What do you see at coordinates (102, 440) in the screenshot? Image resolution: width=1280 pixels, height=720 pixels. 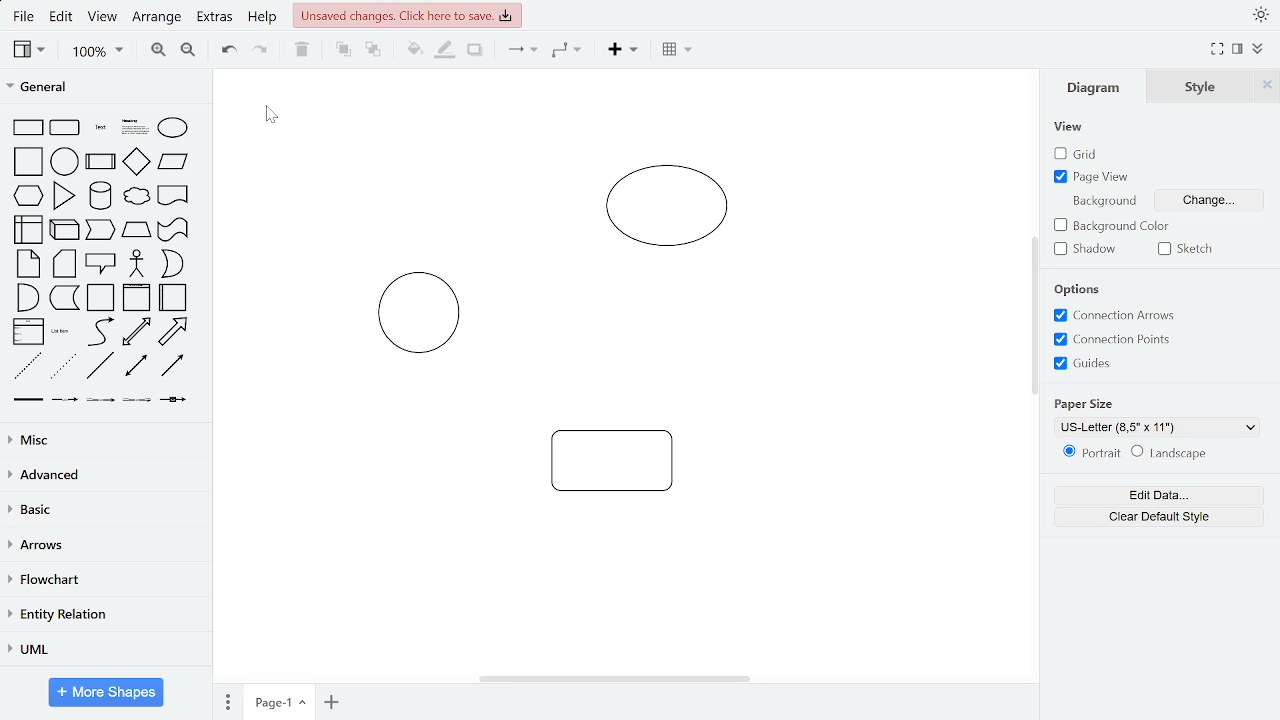 I see `misc` at bounding box center [102, 440].